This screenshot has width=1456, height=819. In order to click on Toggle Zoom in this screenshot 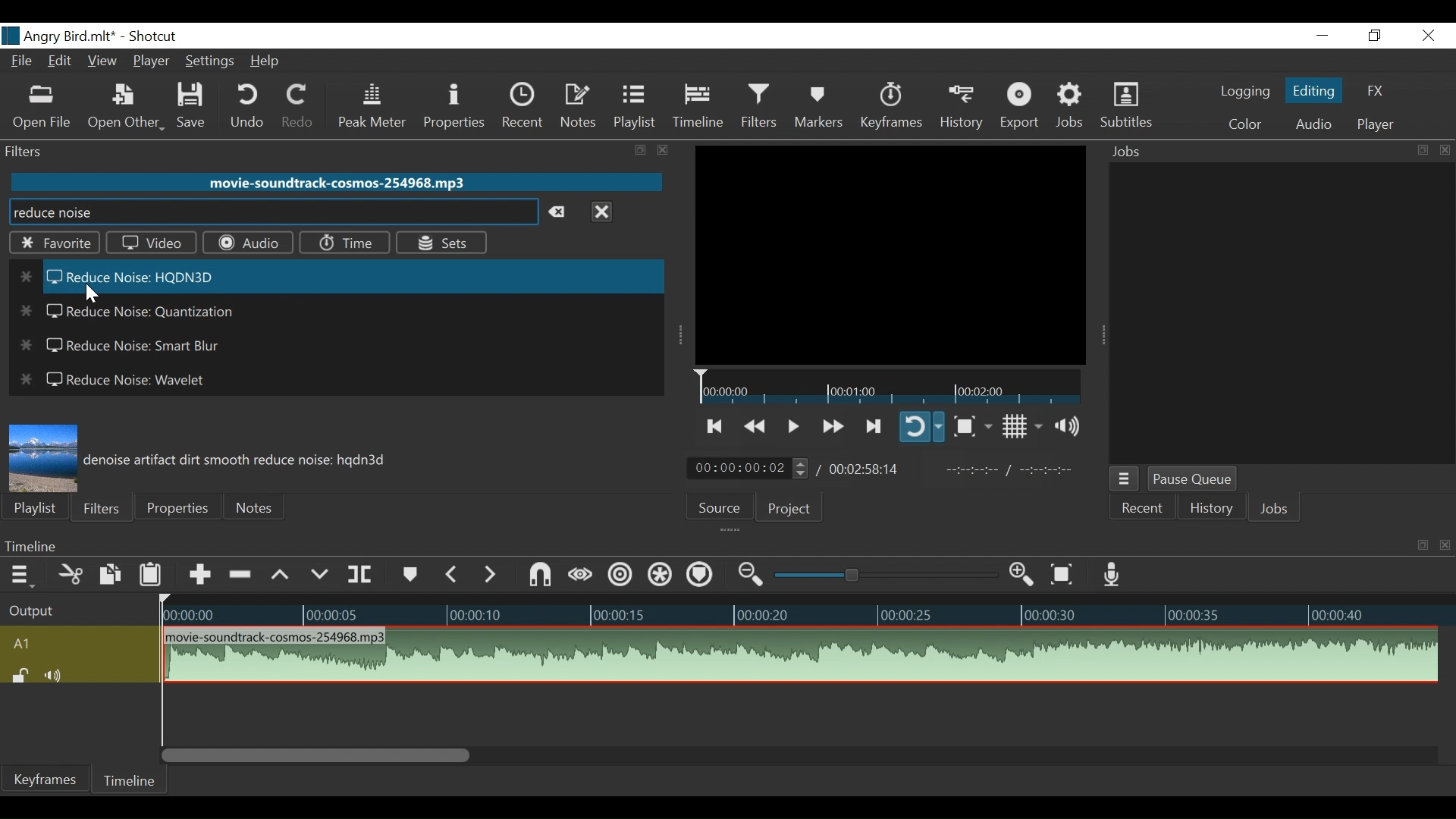, I will do `click(972, 425)`.